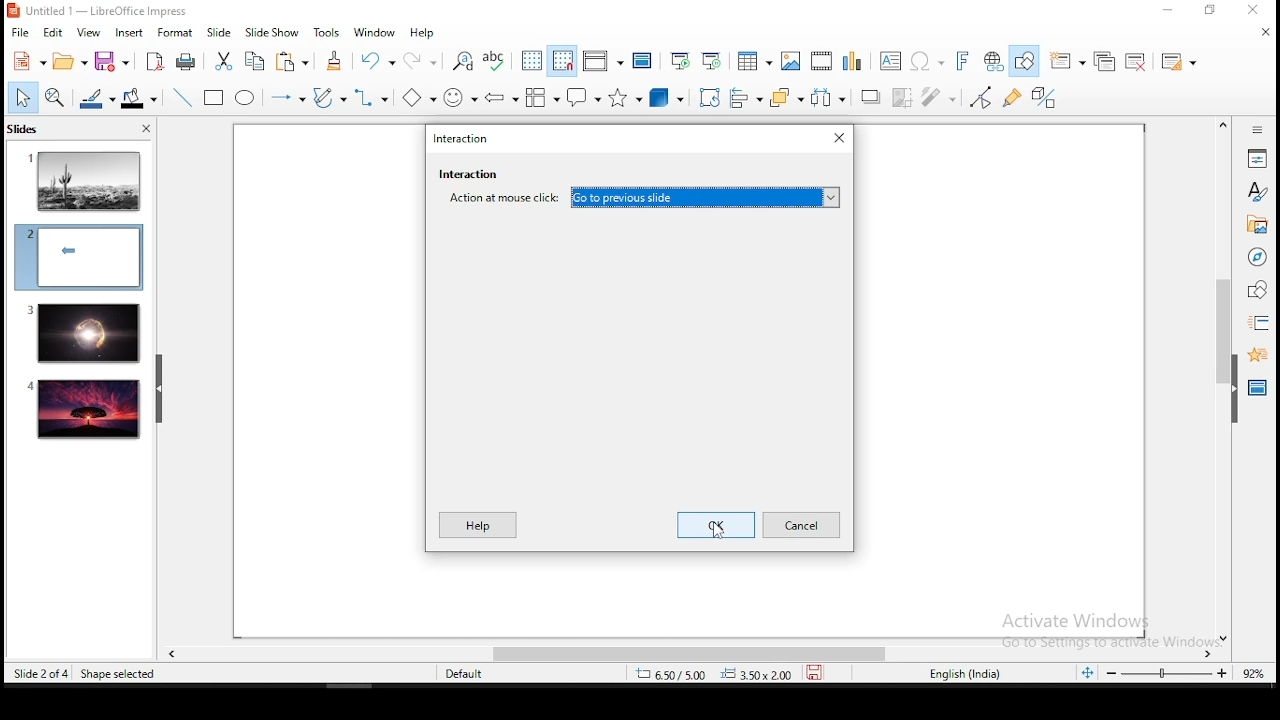 The width and height of the screenshot is (1280, 720). I want to click on default, so click(466, 673).